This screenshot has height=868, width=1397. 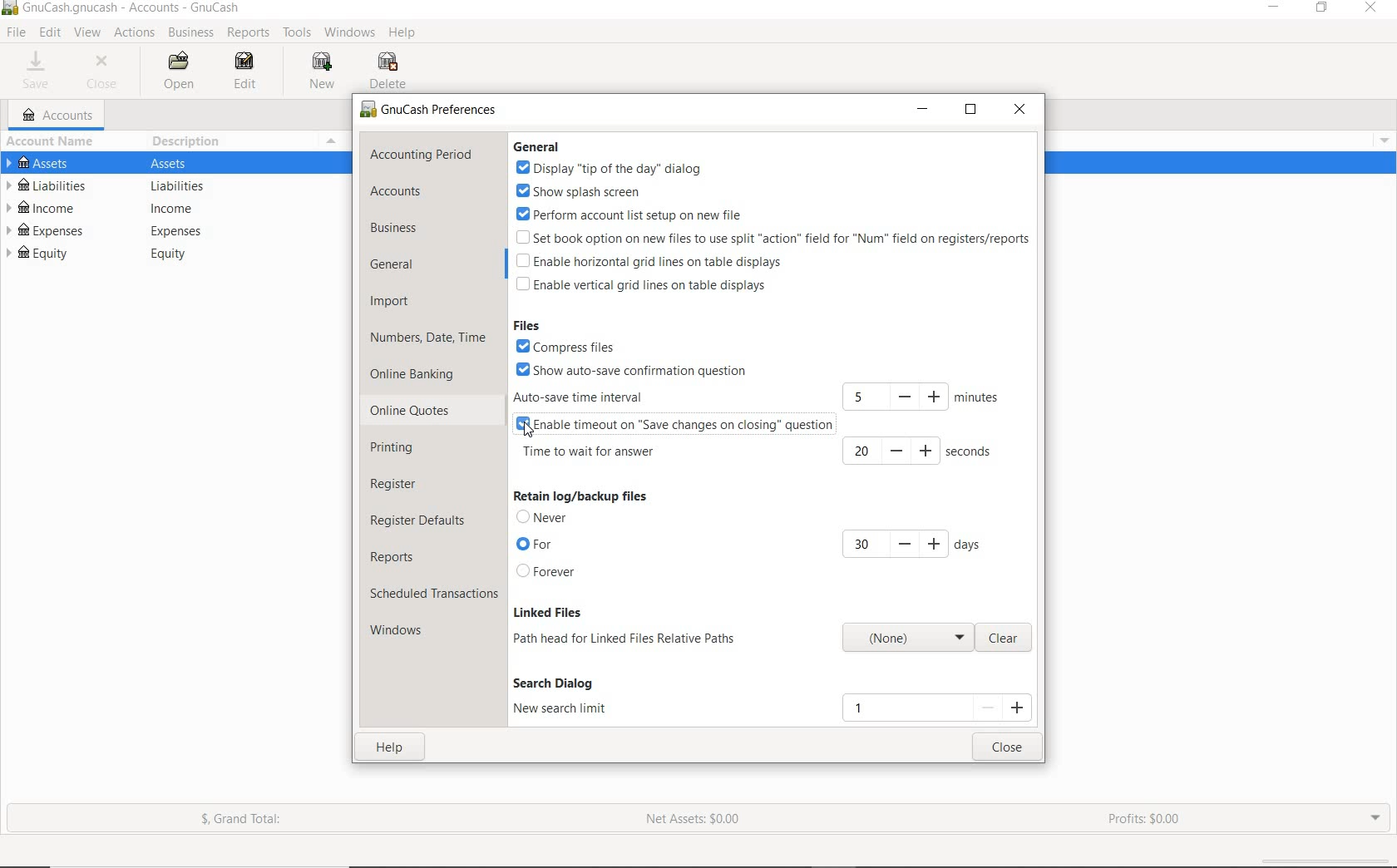 What do you see at coordinates (50, 142) in the screenshot?
I see `ACCOUNT NAME` at bounding box center [50, 142].